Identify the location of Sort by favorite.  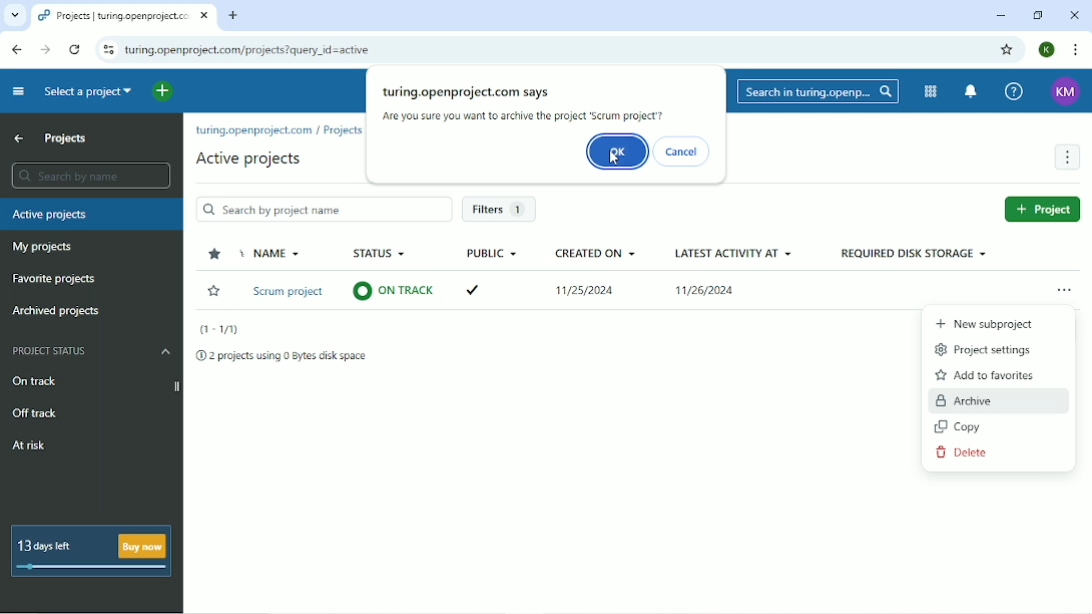
(216, 254).